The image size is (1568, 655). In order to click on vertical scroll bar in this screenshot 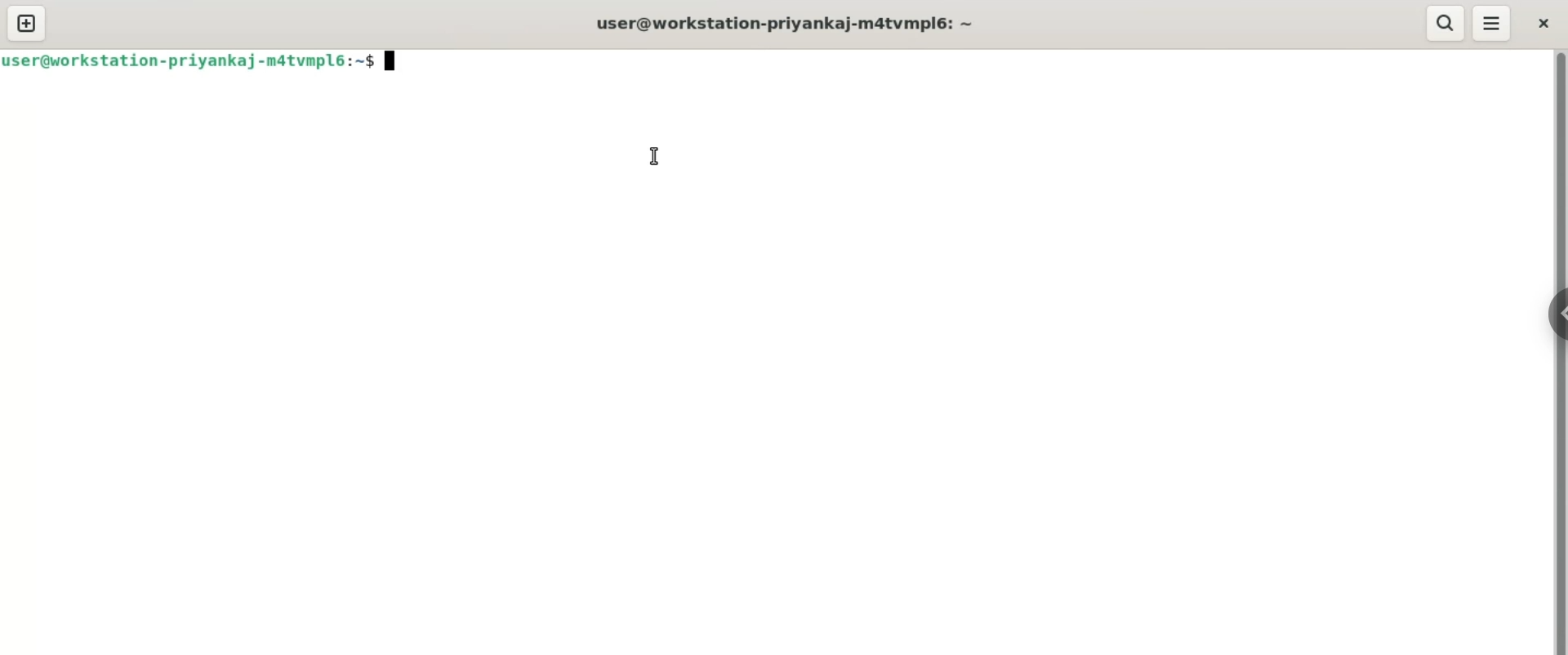, I will do `click(1561, 351)`.